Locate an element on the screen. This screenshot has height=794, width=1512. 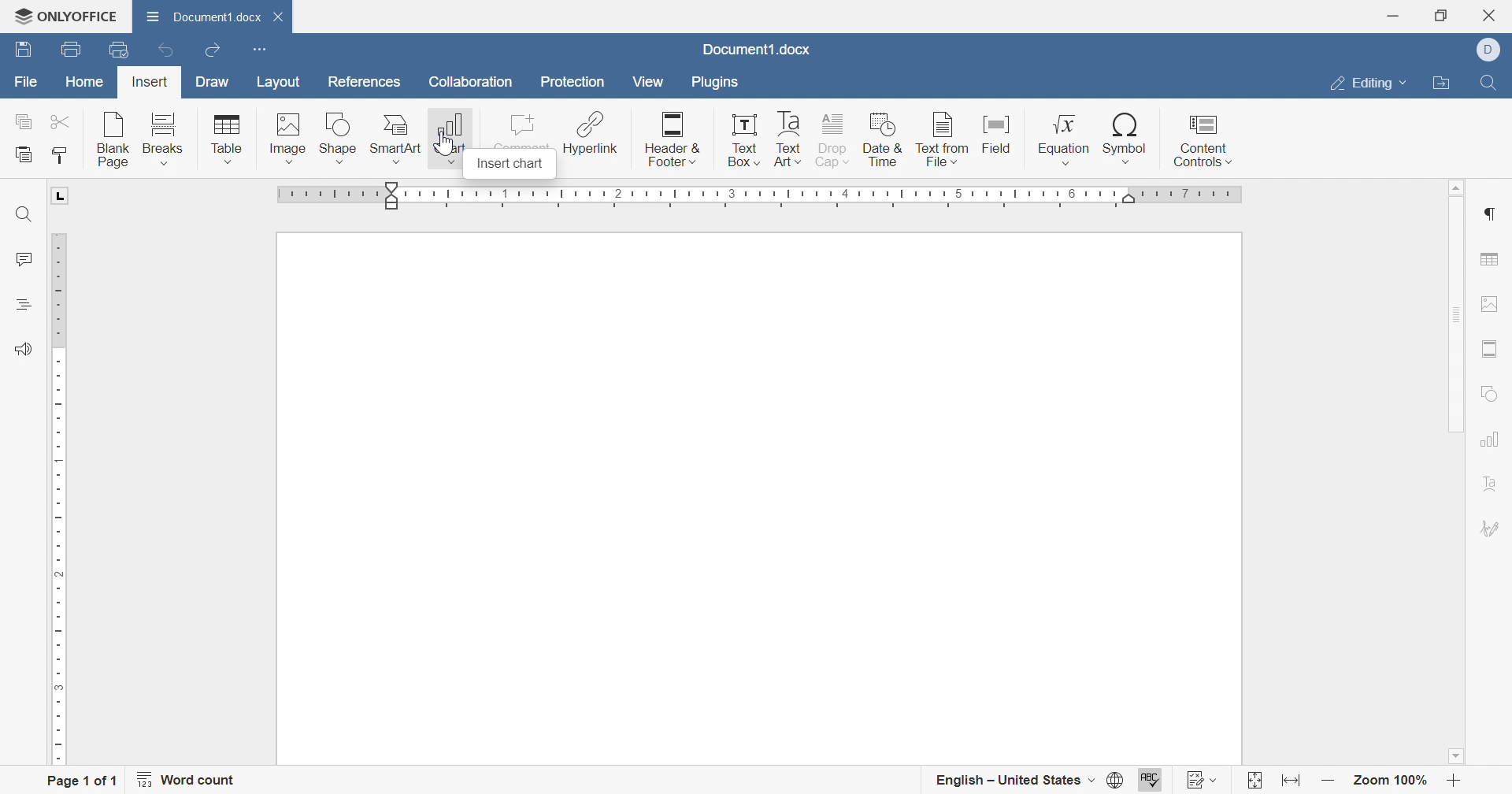
Signature settings is located at coordinates (1495, 527).